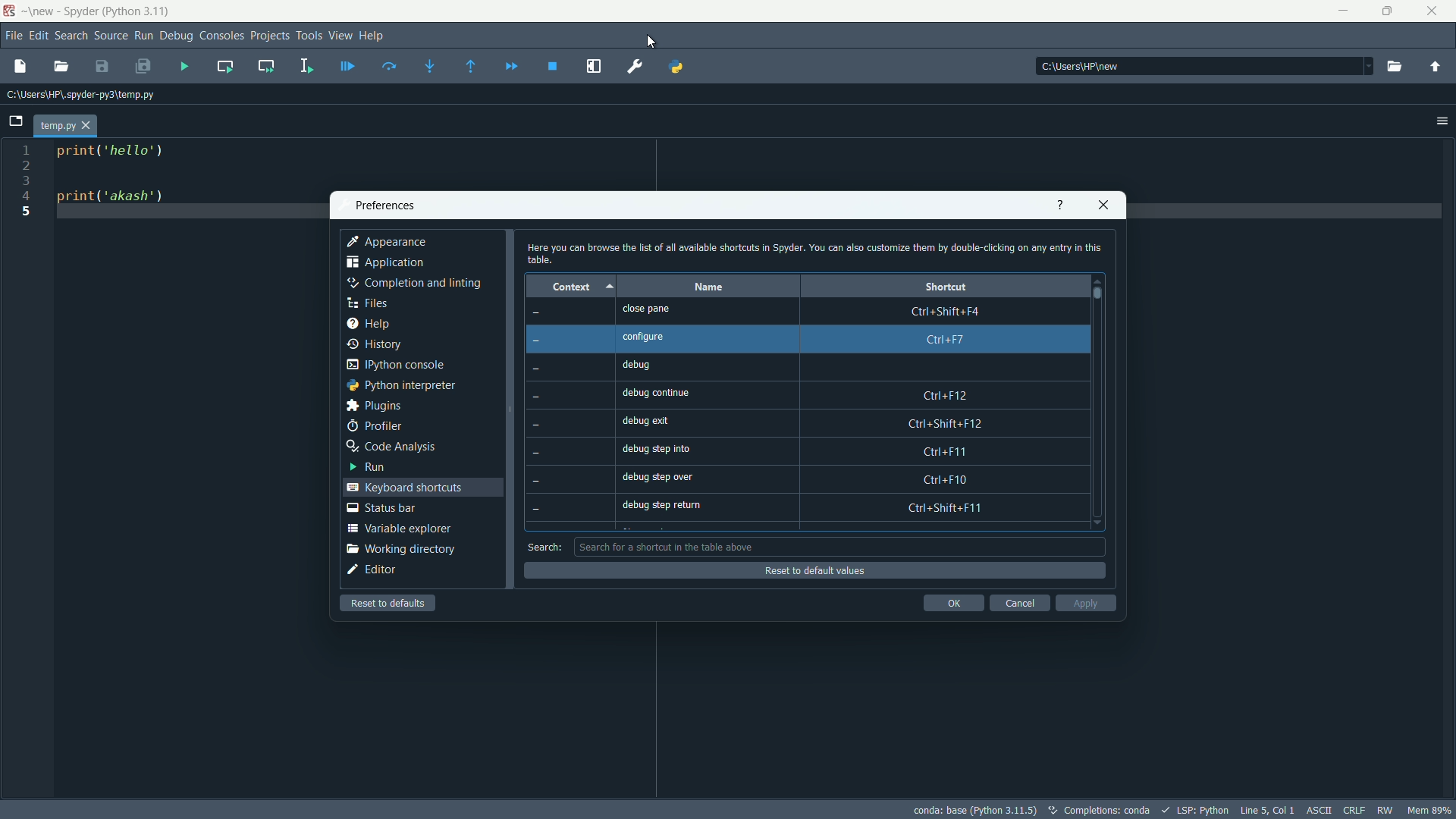  Describe the element at coordinates (652, 42) in the screenshot. I see `cursor` at that location.